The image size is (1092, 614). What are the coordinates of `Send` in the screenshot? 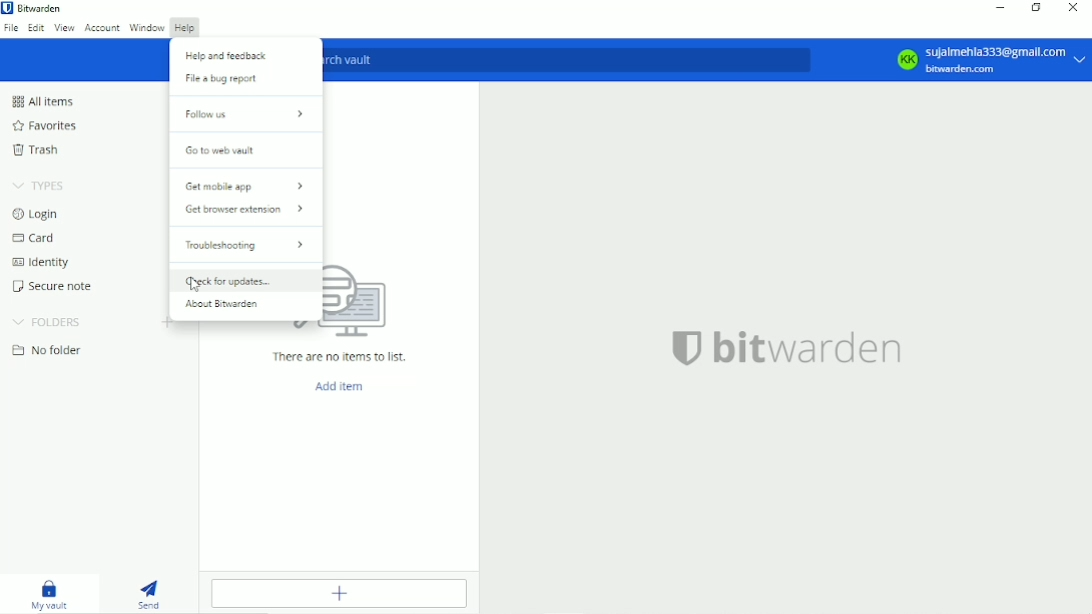 It's located at (154, 591).